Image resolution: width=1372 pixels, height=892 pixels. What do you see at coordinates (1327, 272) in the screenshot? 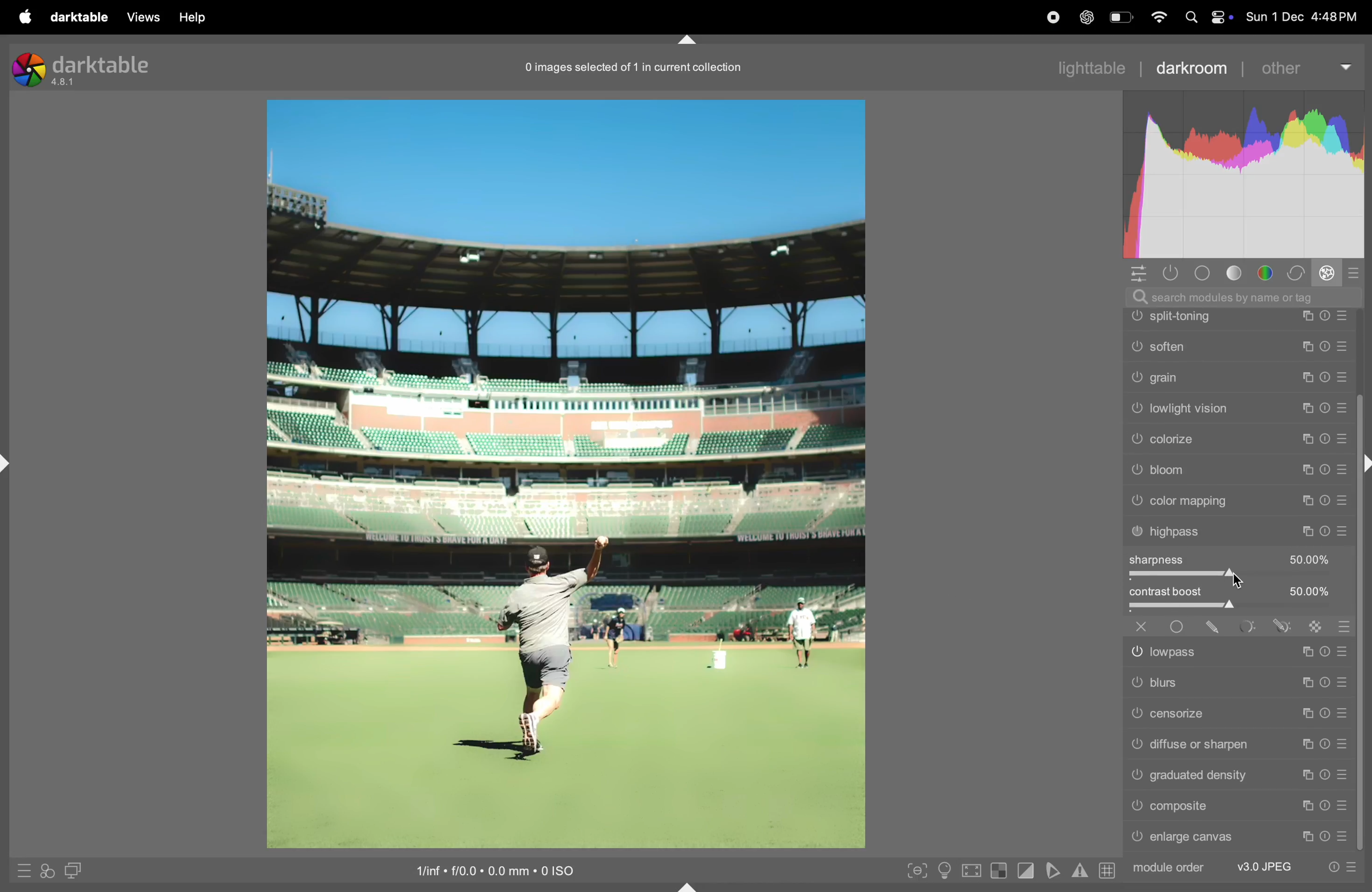
I see `effect` at bounding box center [1327, 272].